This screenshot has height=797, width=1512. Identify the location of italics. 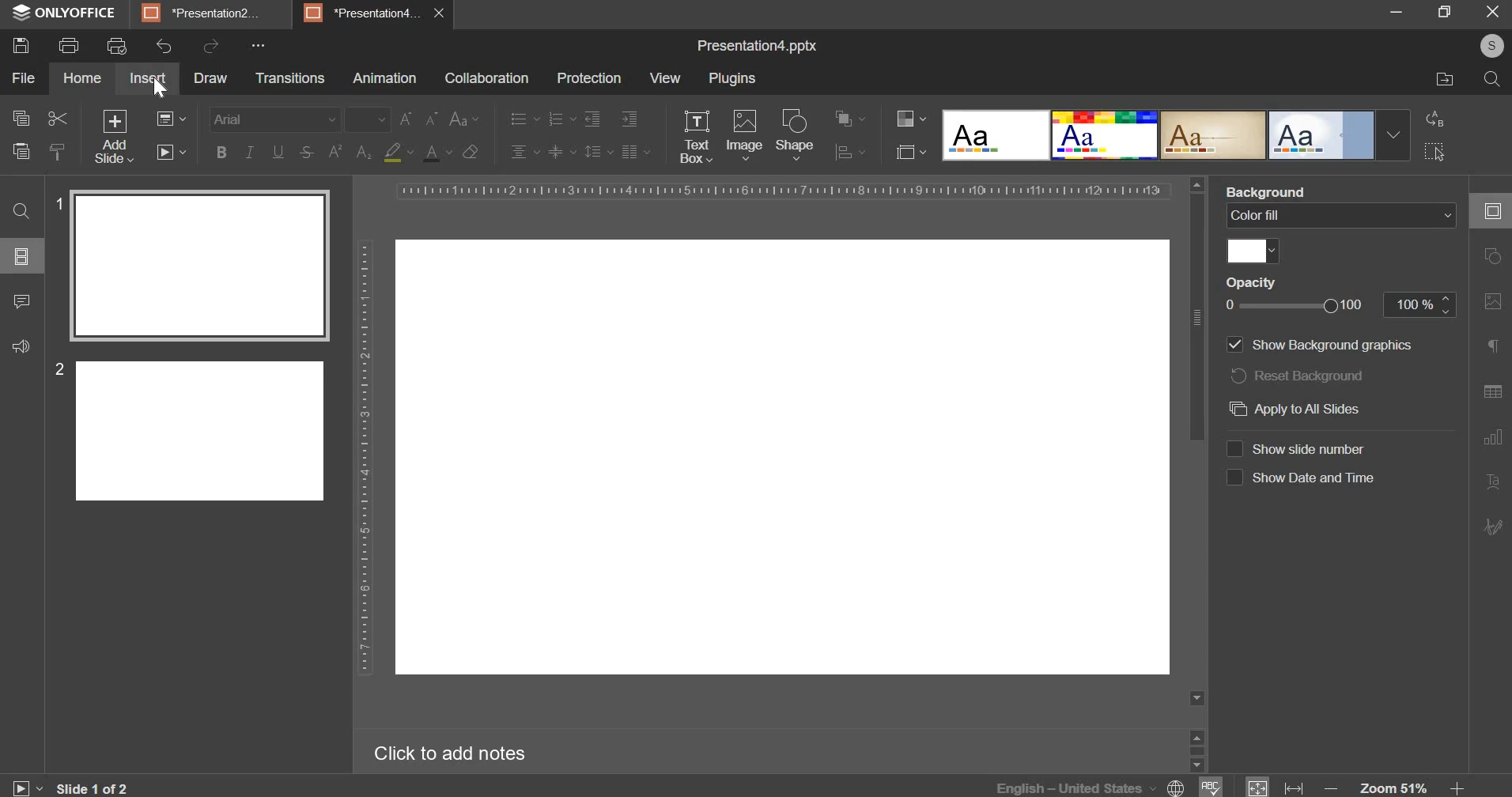
(248, 153).